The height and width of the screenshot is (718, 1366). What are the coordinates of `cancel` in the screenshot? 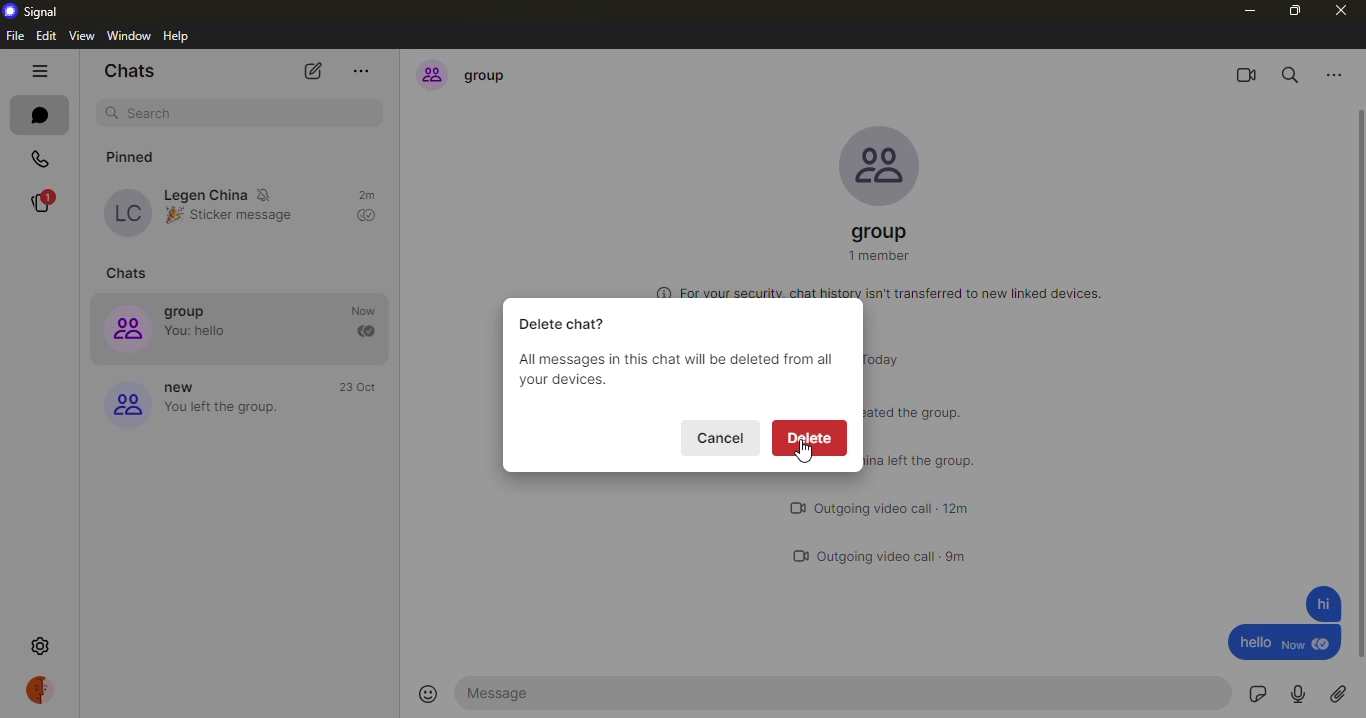 It's located at (722, 440).